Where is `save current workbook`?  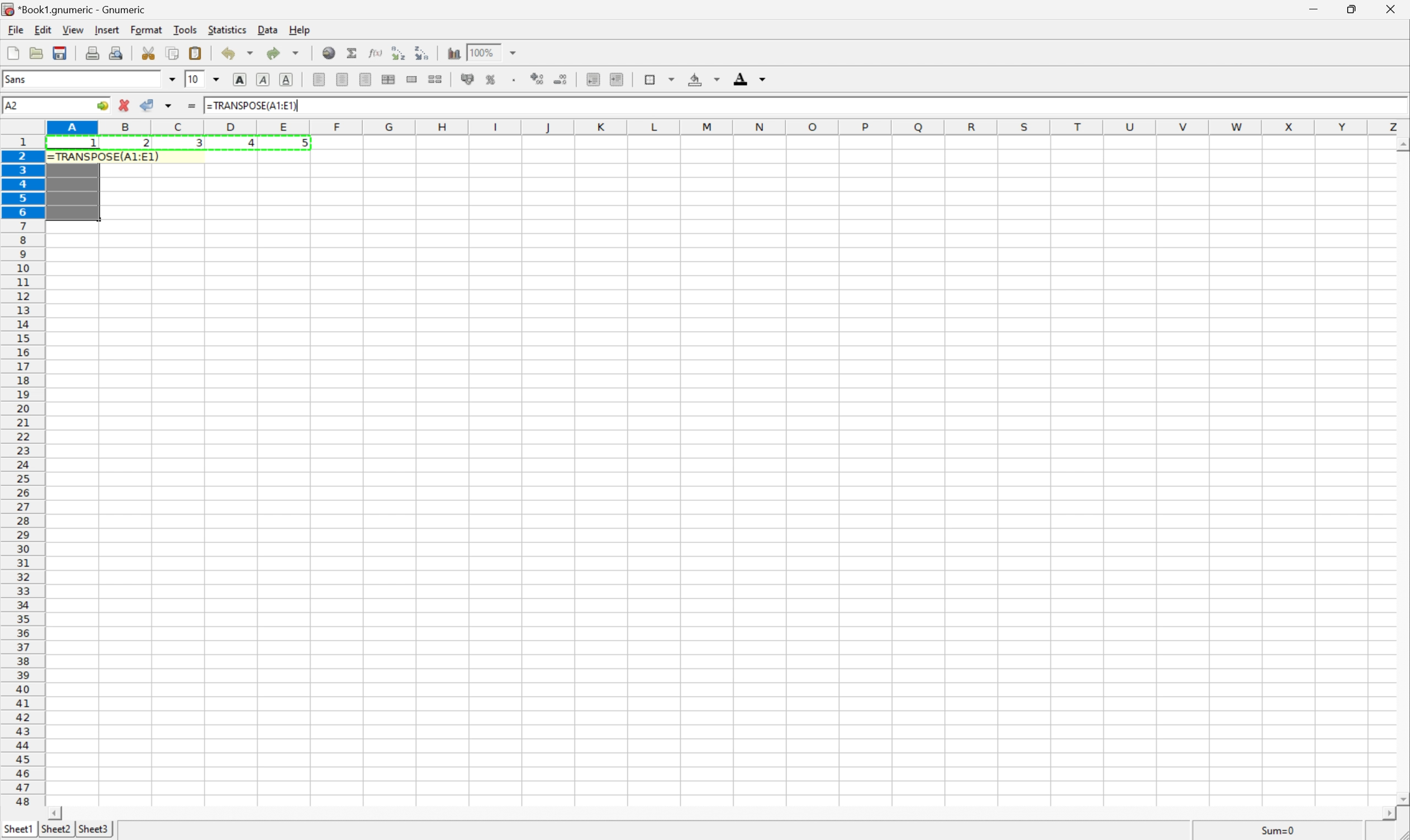 save current workbook is located at coordinates (60, 53).